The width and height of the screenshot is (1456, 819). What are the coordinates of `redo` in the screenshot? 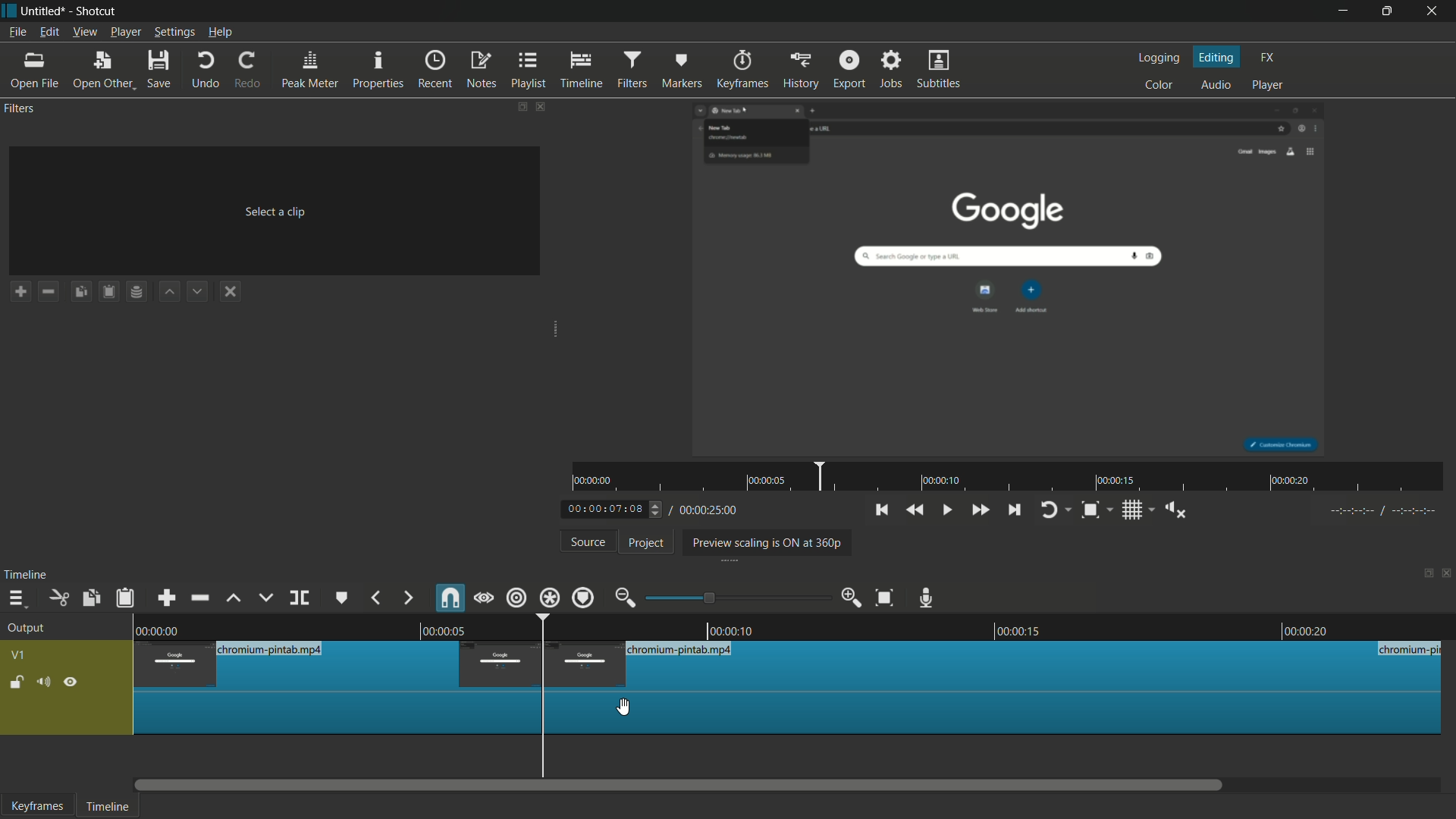 It's located at (248, 69).